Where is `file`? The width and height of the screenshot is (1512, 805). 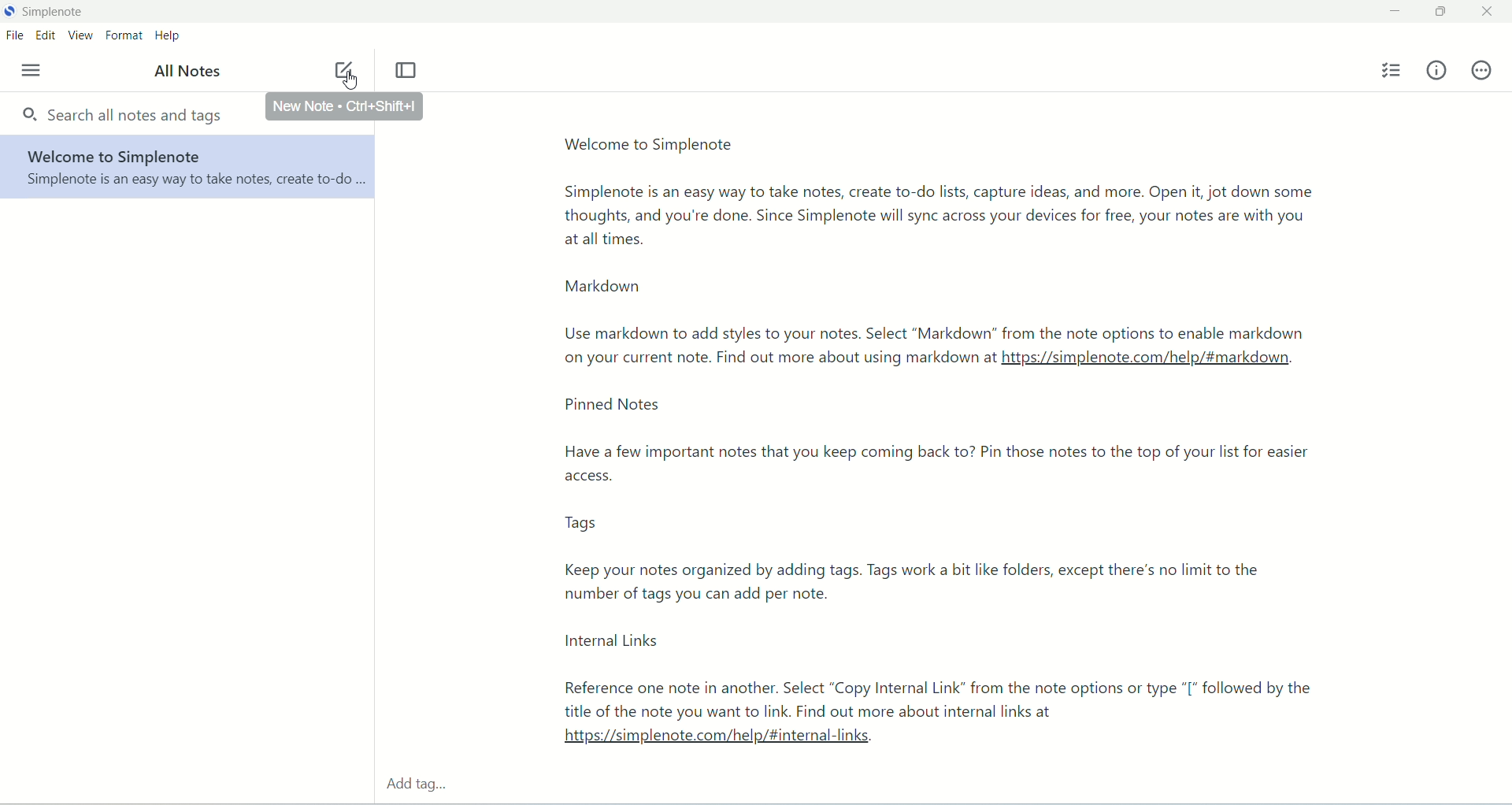
file is located at coordinates (13, 36).